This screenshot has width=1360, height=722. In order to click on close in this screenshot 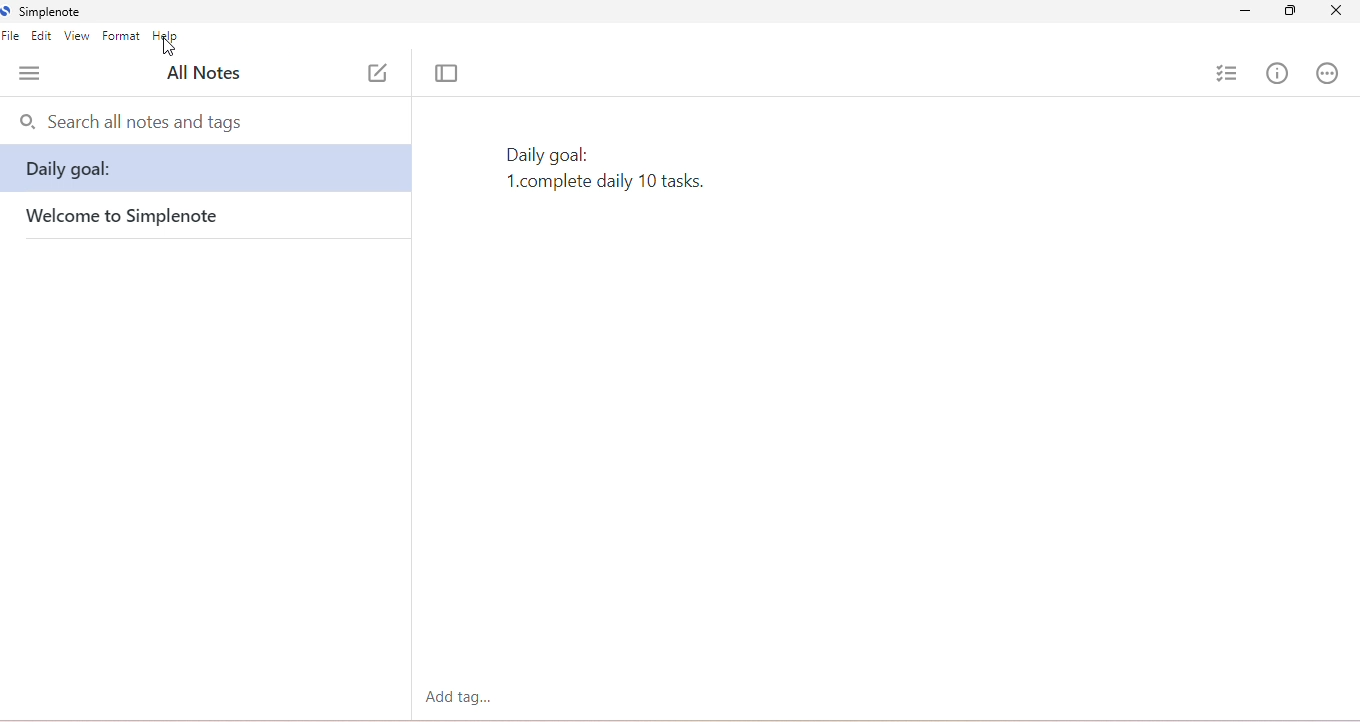, I will do `click(1337, 12)`.